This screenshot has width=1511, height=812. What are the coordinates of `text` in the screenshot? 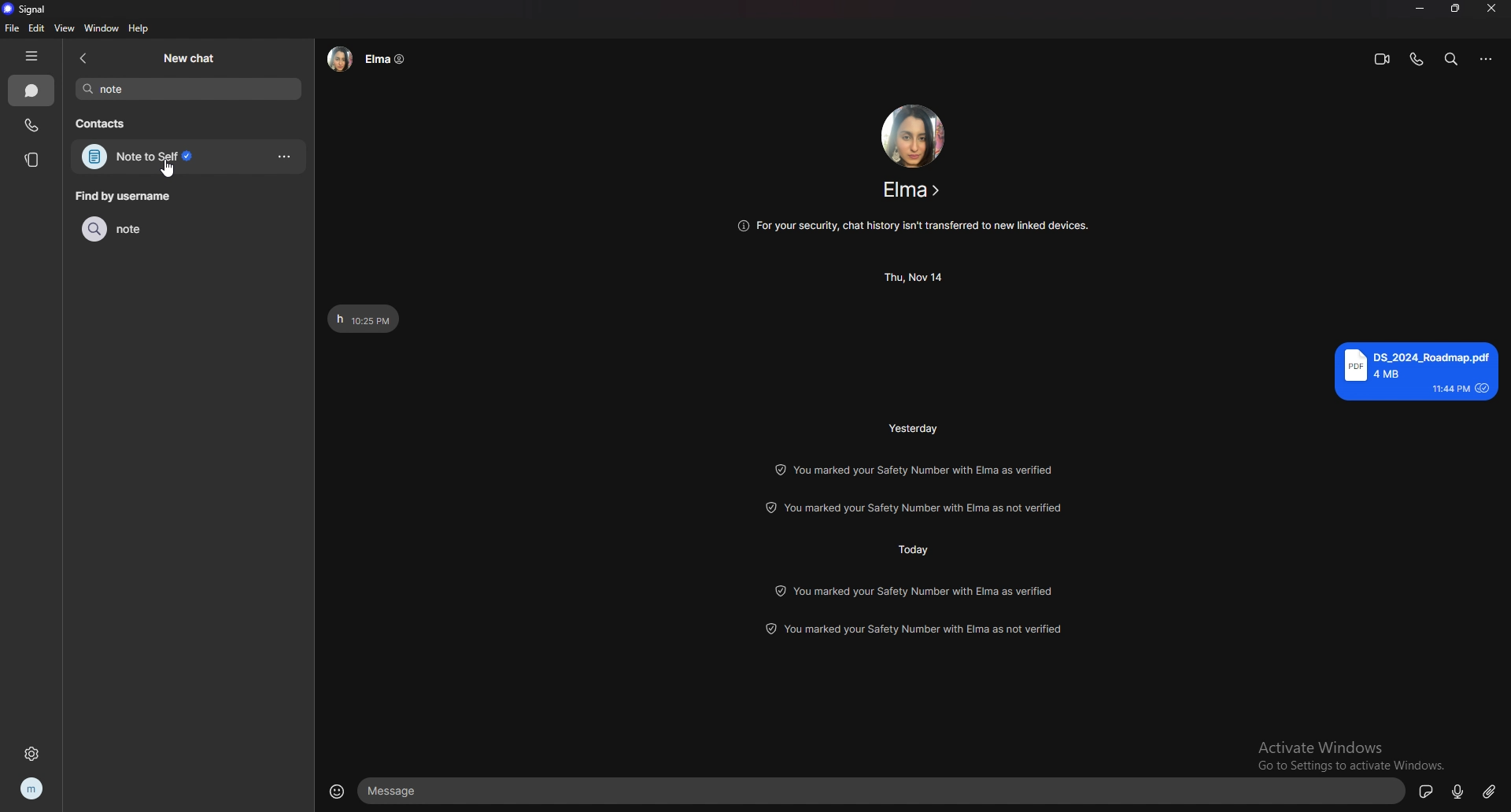 It's located at (364, 319).